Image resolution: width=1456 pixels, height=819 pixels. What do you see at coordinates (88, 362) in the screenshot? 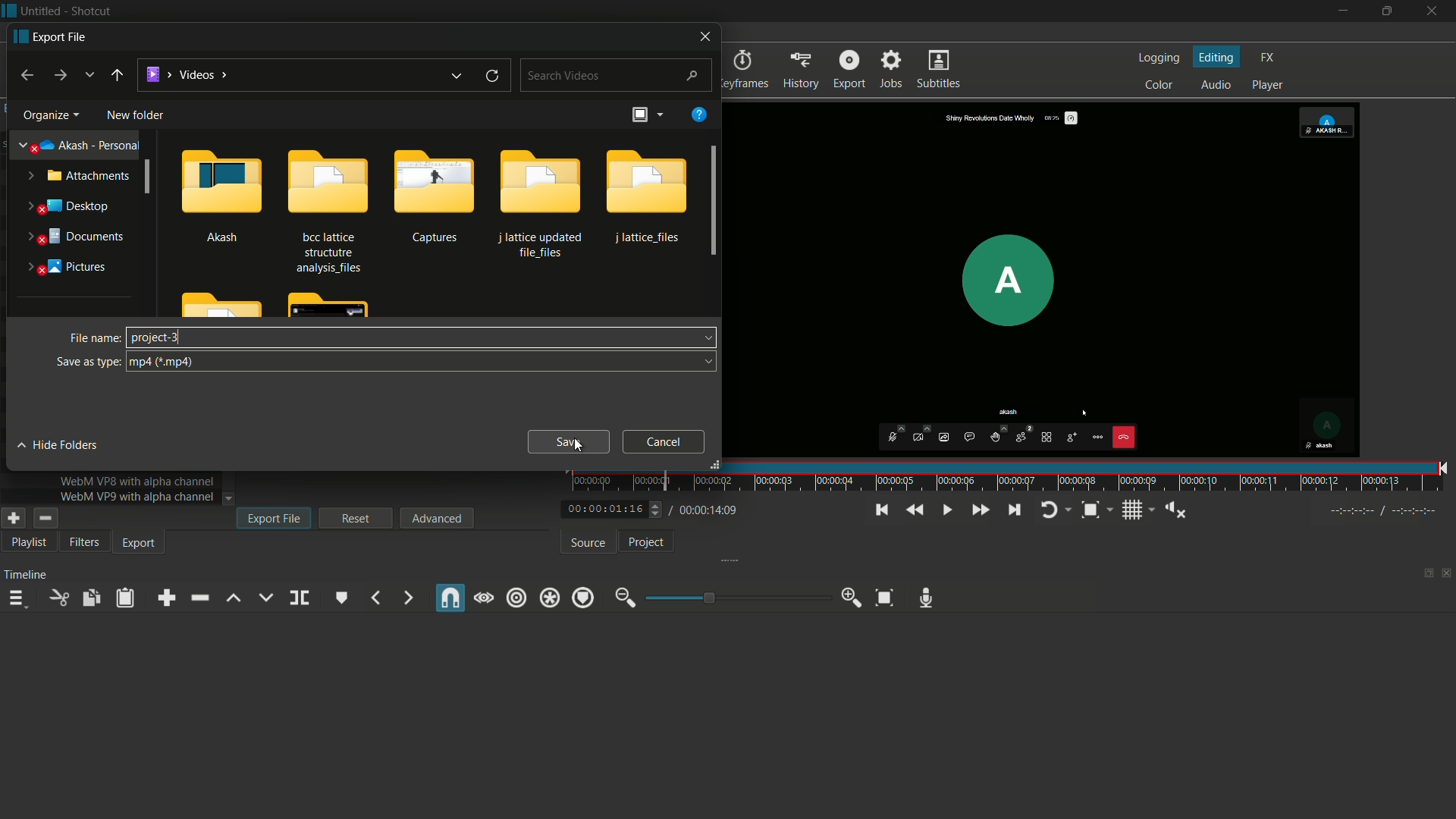
I see `save as type` at bounding box center [88, 362].